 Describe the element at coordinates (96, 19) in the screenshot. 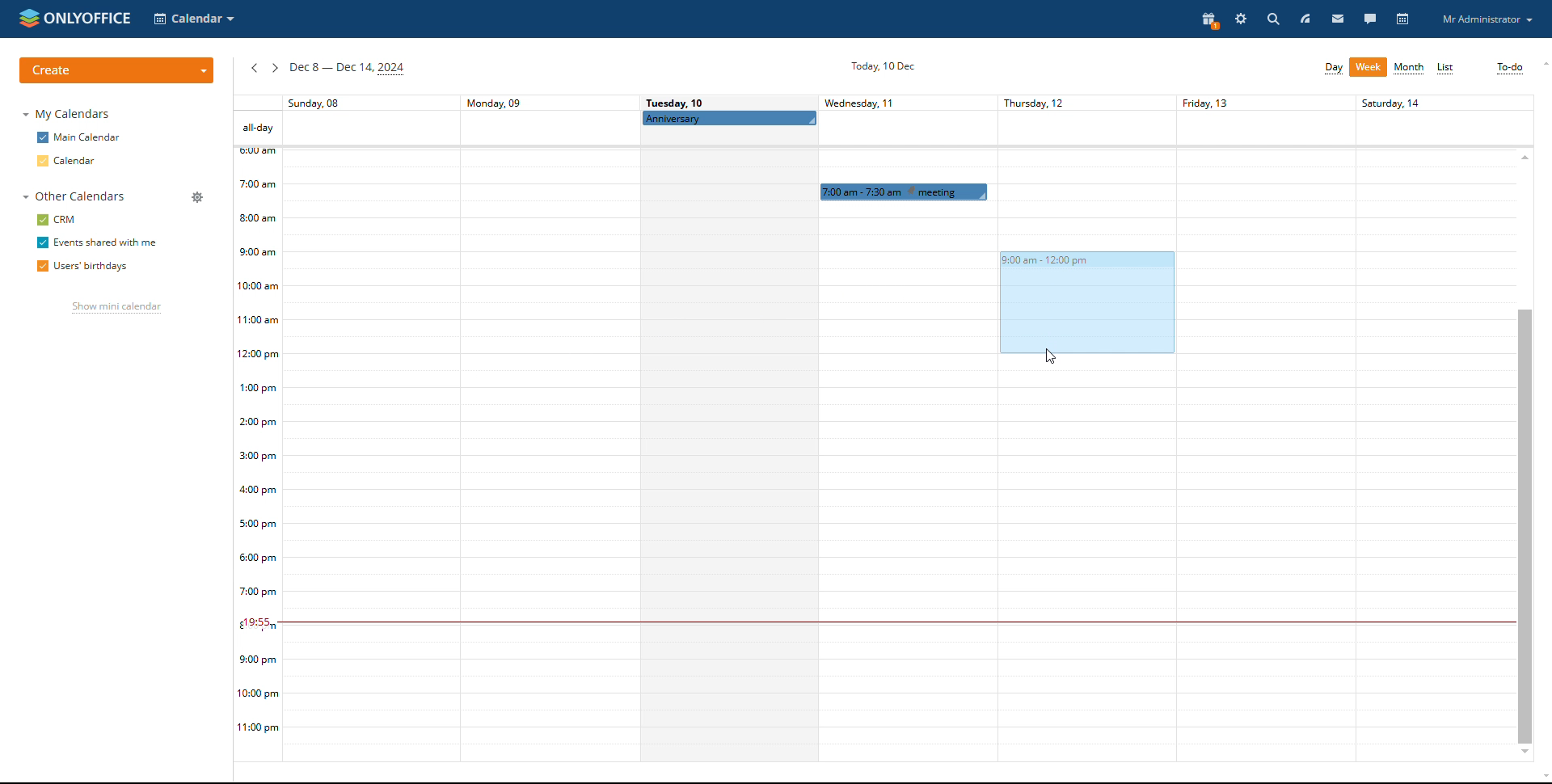

I see `onlyoffice` at that location.